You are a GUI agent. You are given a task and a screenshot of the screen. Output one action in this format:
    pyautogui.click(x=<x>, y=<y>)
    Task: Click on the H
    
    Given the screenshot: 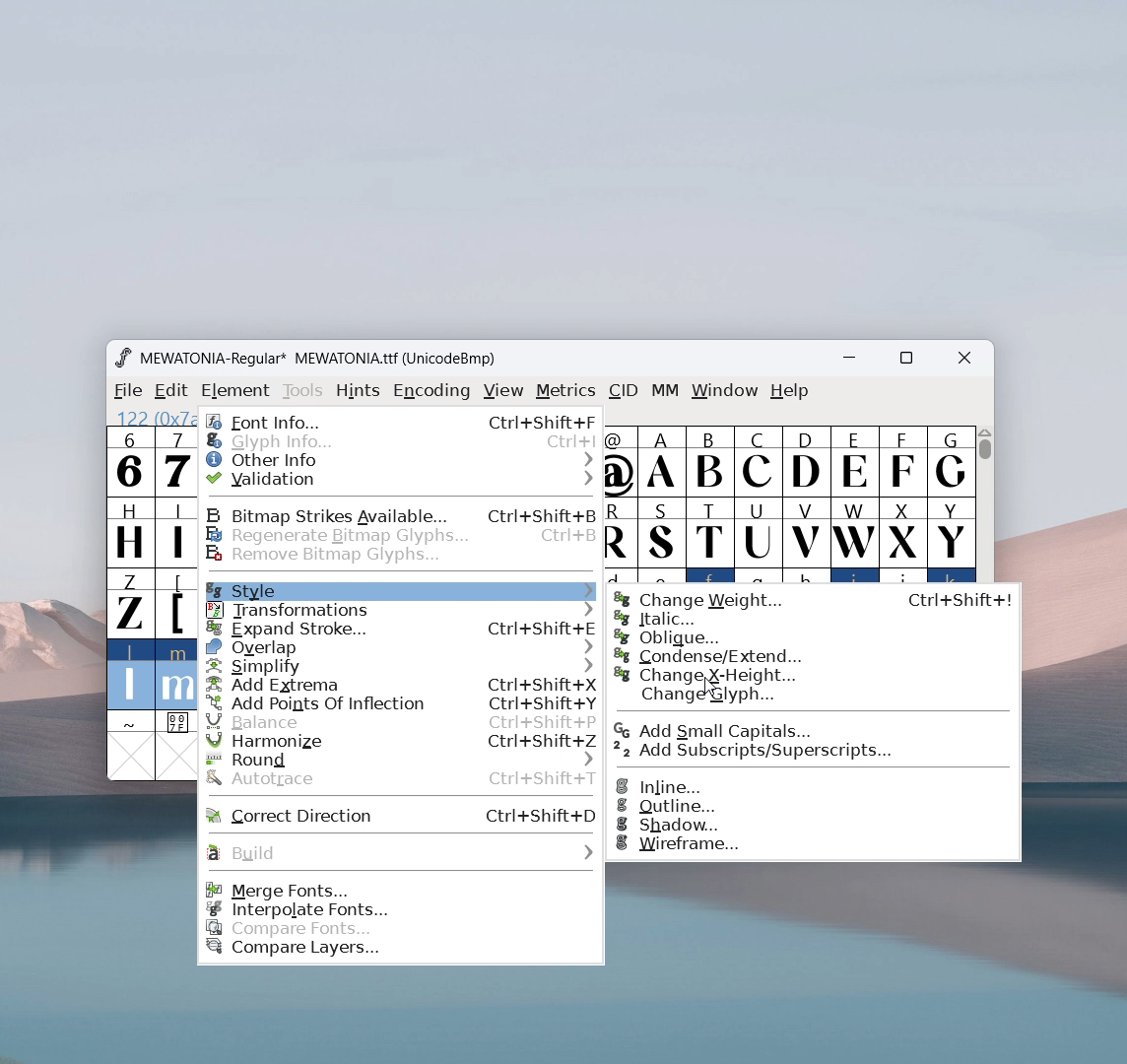 What is the action you would take?
    pyautogui.click(x=129, y=530)
    